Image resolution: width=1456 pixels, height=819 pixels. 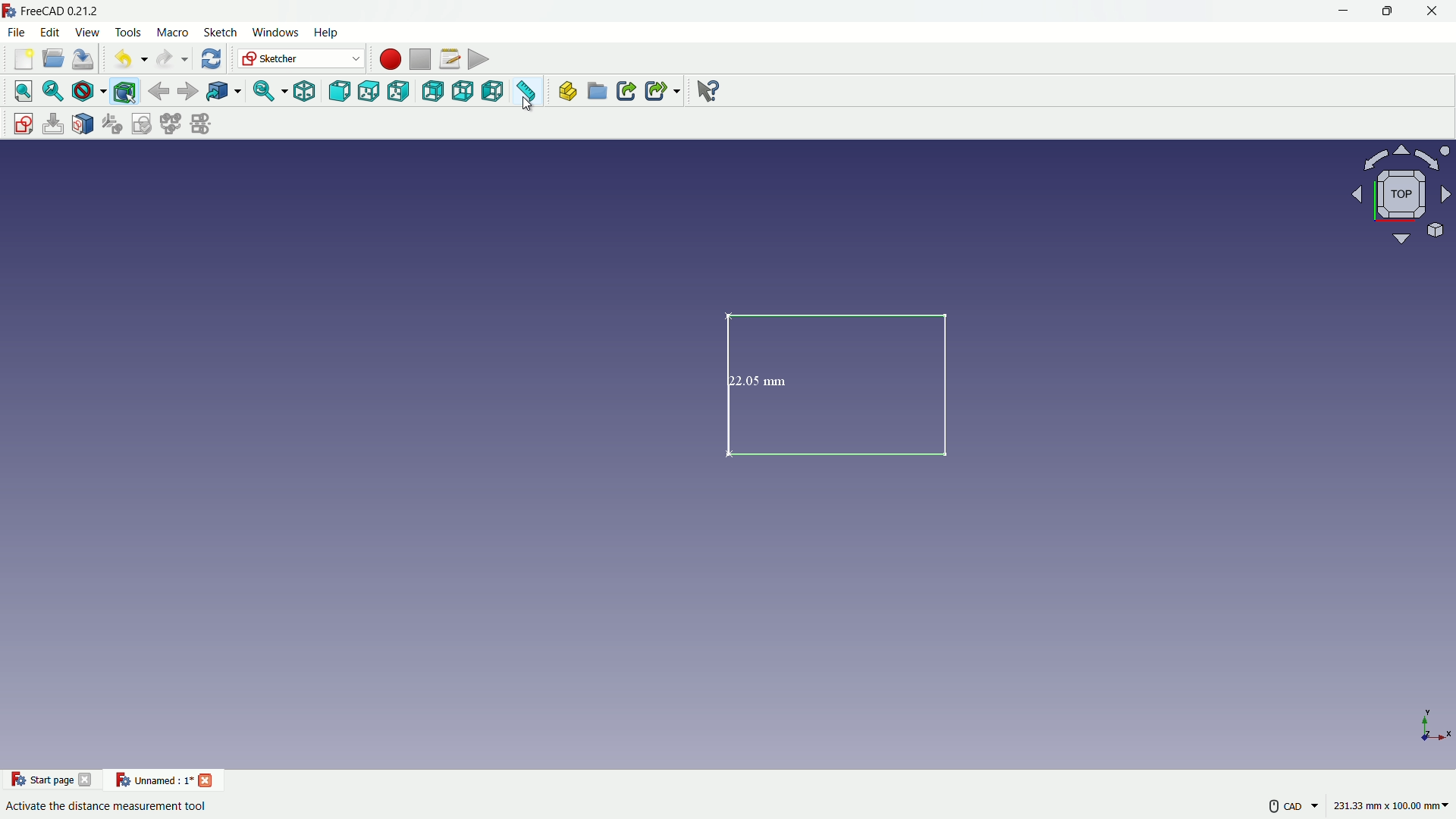 I want to click on validate sketches, so click(x=143, y=124).